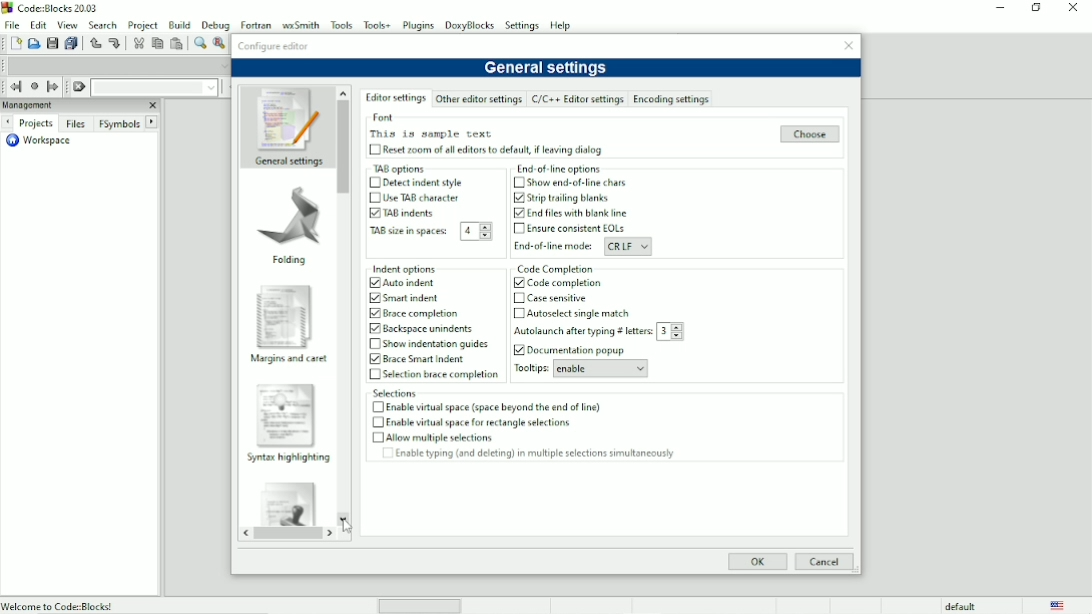 The height and width of the screenshot is (614, 1092). What do you see at coordinates (470, 25) in the screenshot?
I see `DoxyBlocks` at bounding box center [470, 25].